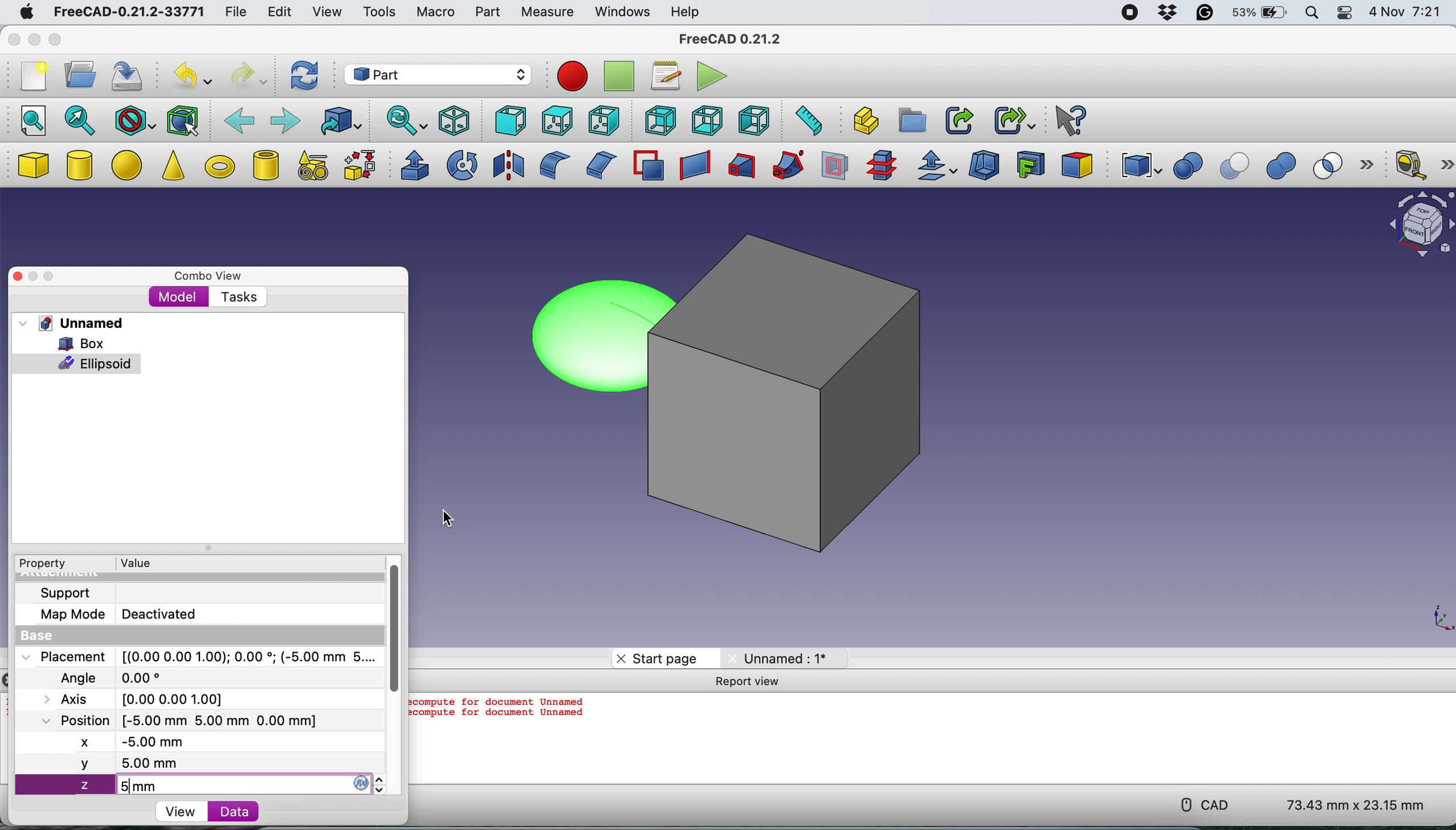 The width and height of the screenshot is (1456, 830). I want to click on fit all, so click(28, 119).